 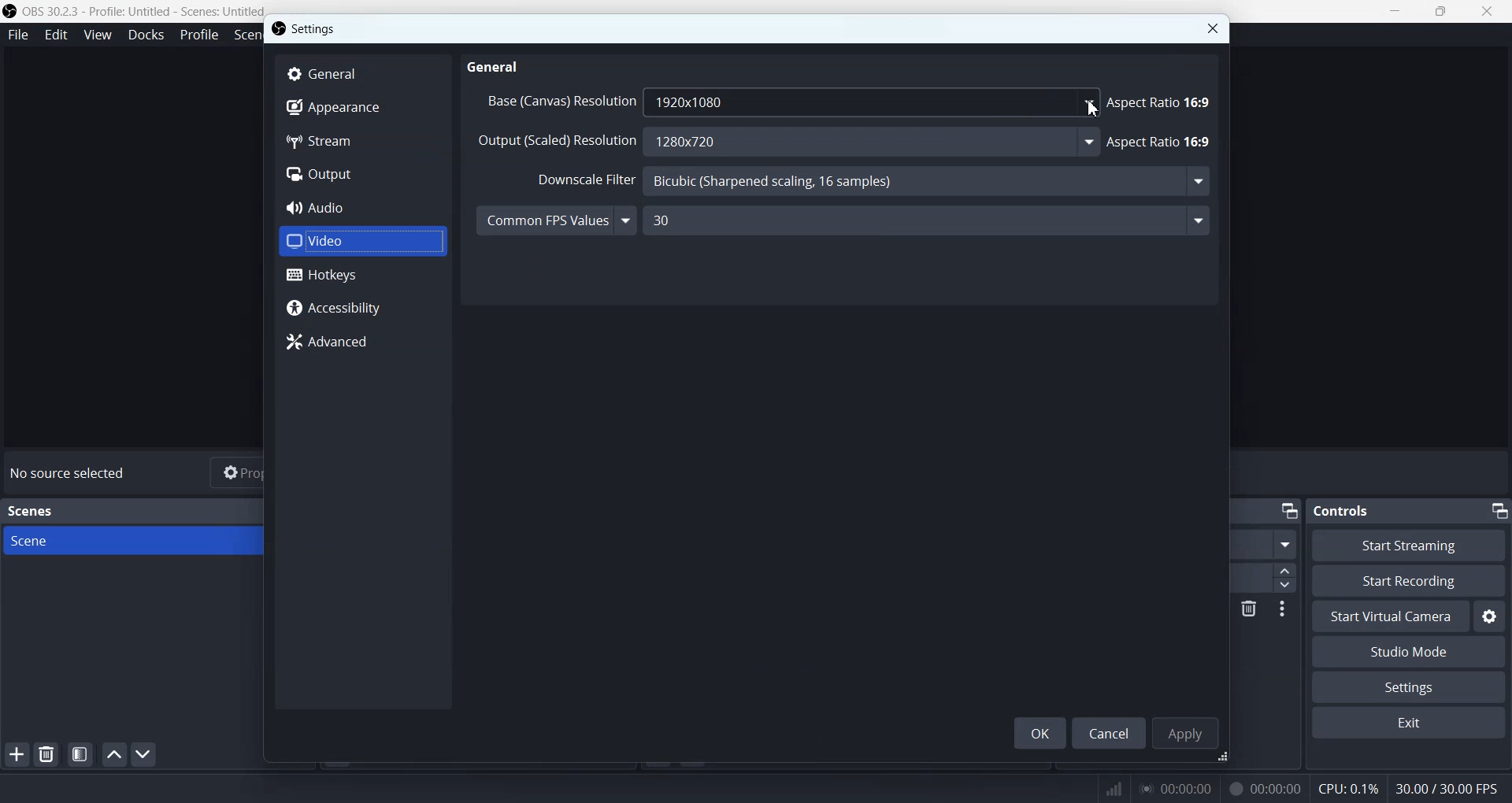 I want to click on Aspect Ratio 16:9, so click(x=1161, y=103).